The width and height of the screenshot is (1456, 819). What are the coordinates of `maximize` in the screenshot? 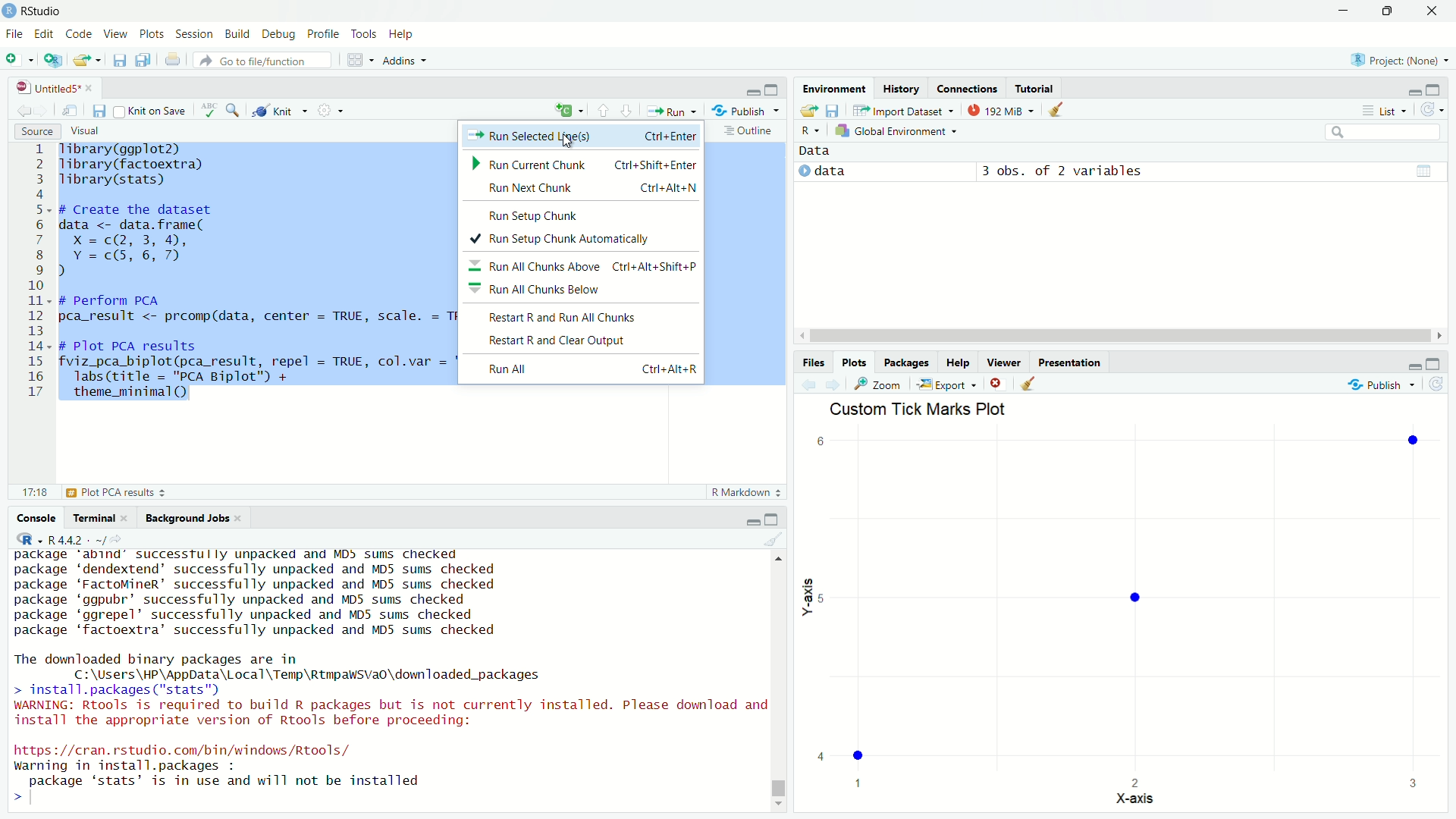 It's located at (775, 90).